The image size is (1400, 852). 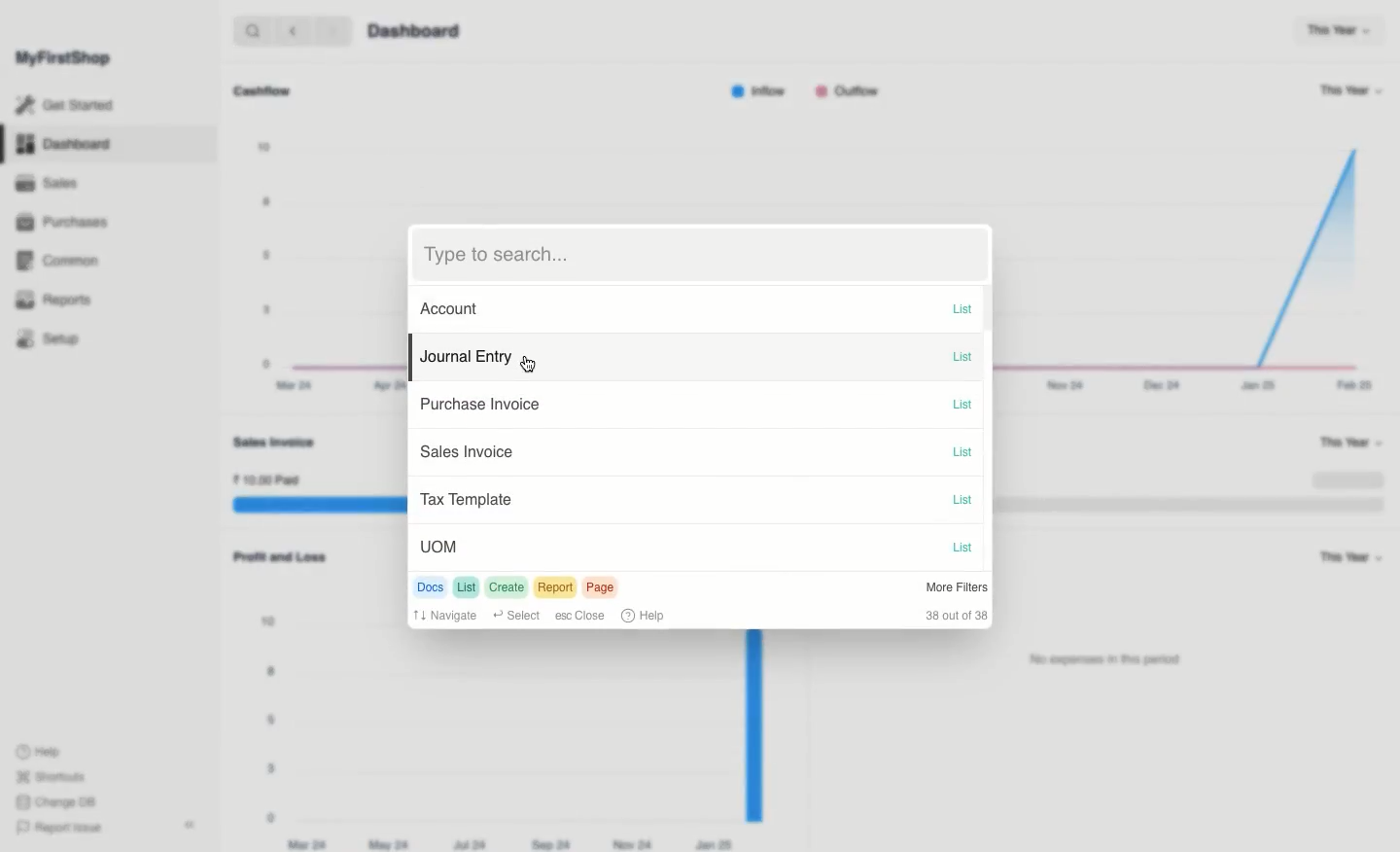 What do you see at coordinates (463, 356) in the screenshot?
I see `Journal Entry` at bounding box center [463, 356].